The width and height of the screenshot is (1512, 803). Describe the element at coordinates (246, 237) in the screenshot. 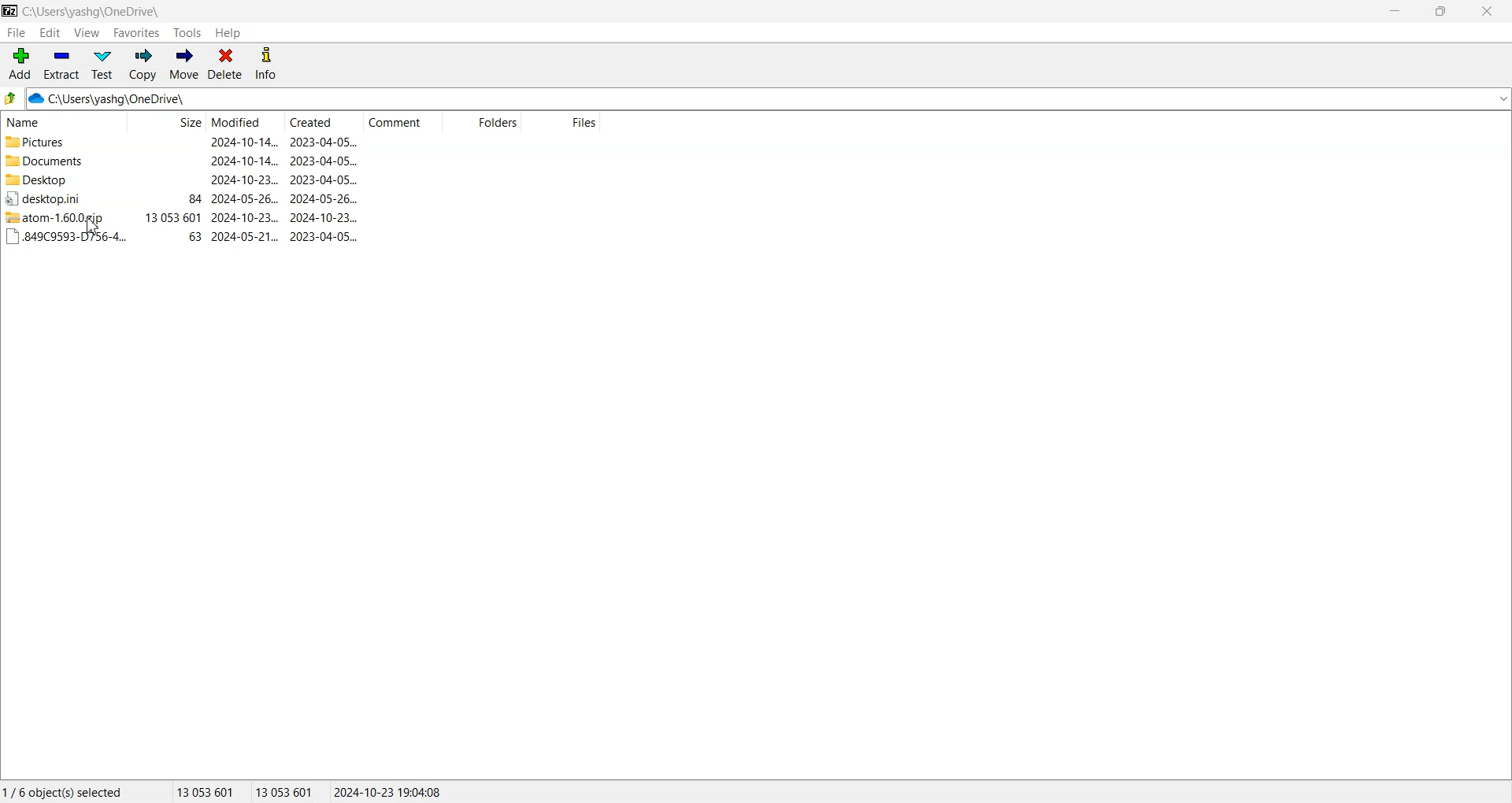

I see `2024-05-21` at that location.